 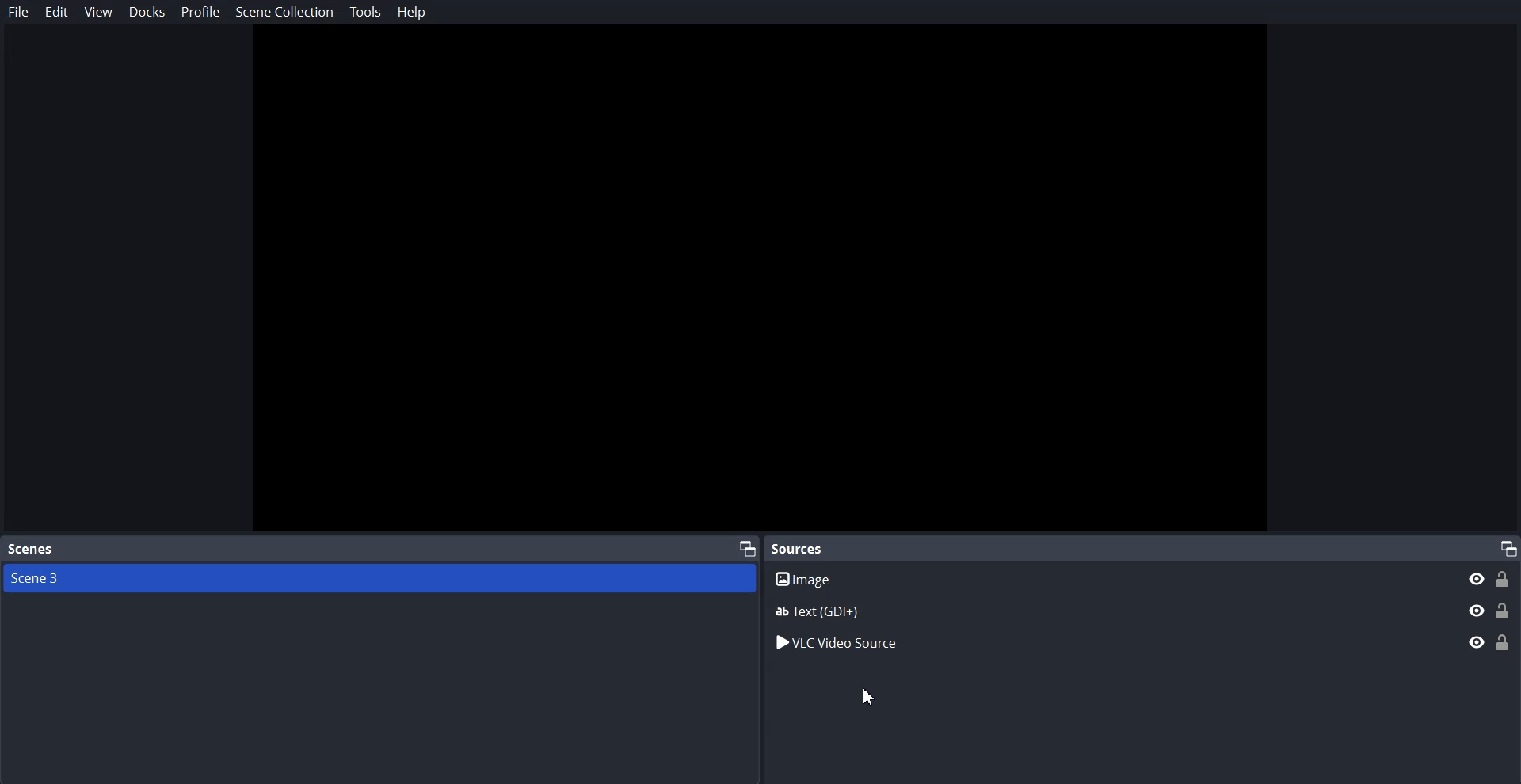 I want to click on Lock, so click(x=1504, y=641).